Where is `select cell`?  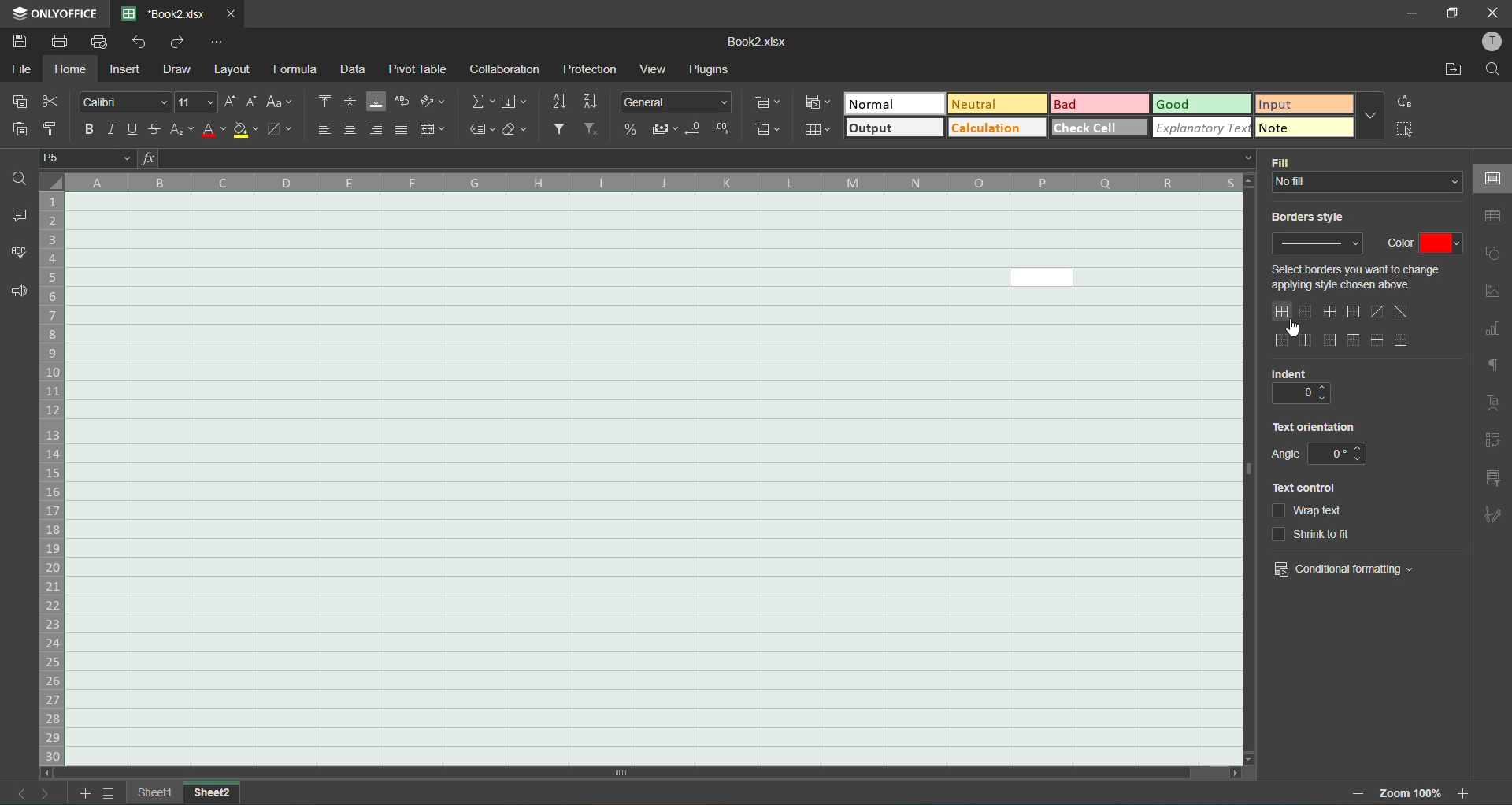 select cell is located at coordinates (1404, 133).